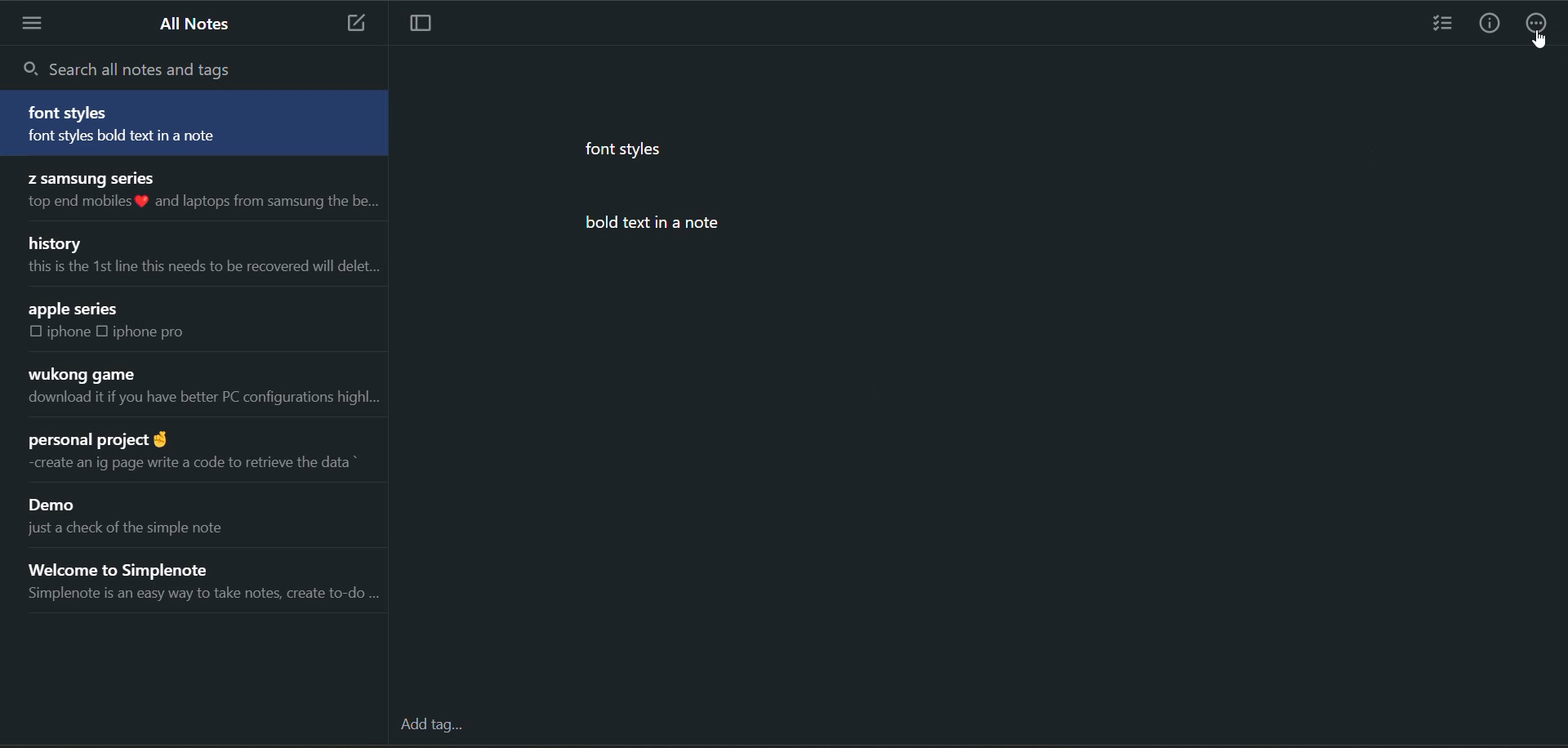  Describe the element at coordinates (202, 597) in the screenshot. I see `Simplenote is an easy way to take notes, create to-do ...` at that location.